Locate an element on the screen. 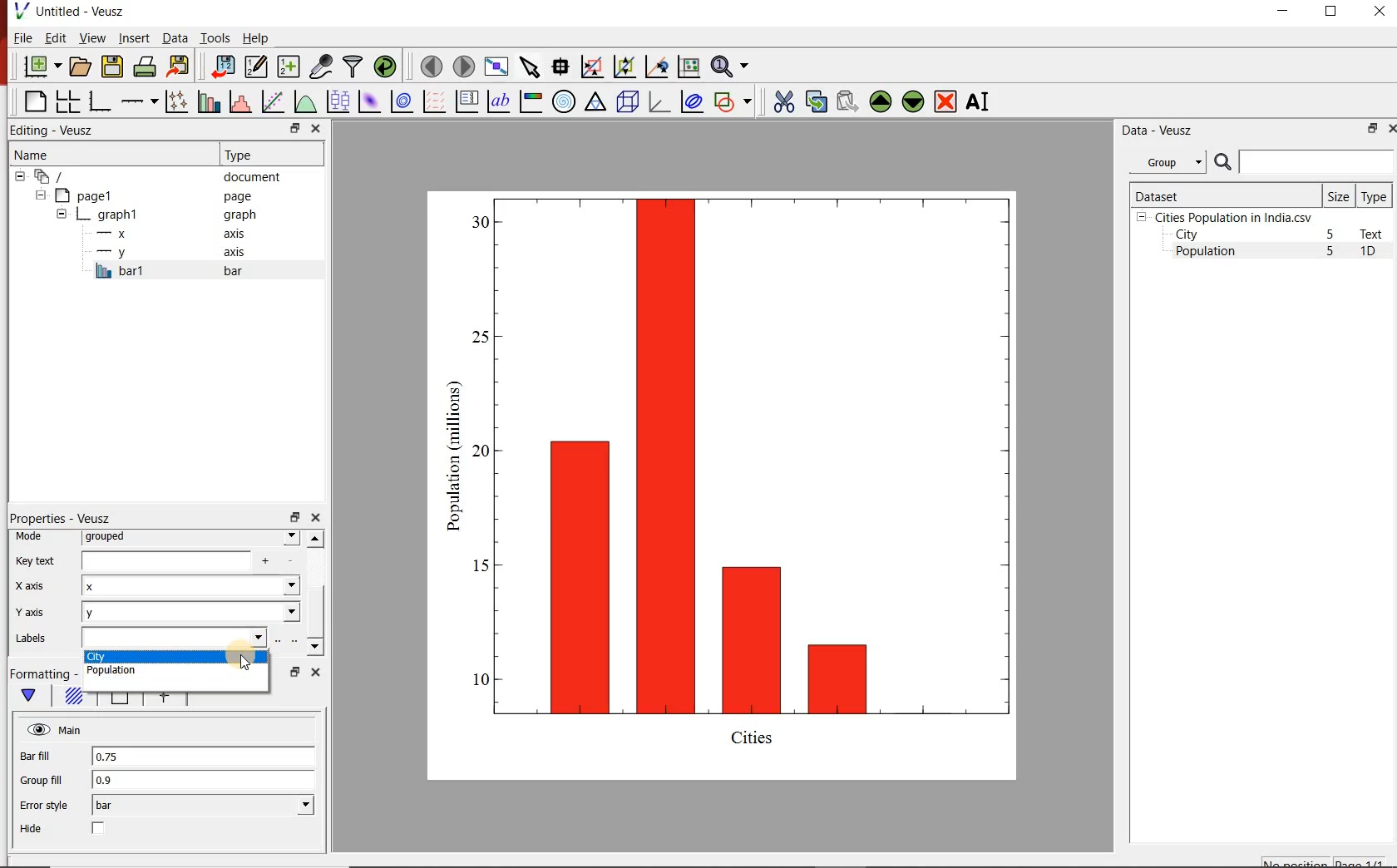  input field is located at coordinates (184, 561).